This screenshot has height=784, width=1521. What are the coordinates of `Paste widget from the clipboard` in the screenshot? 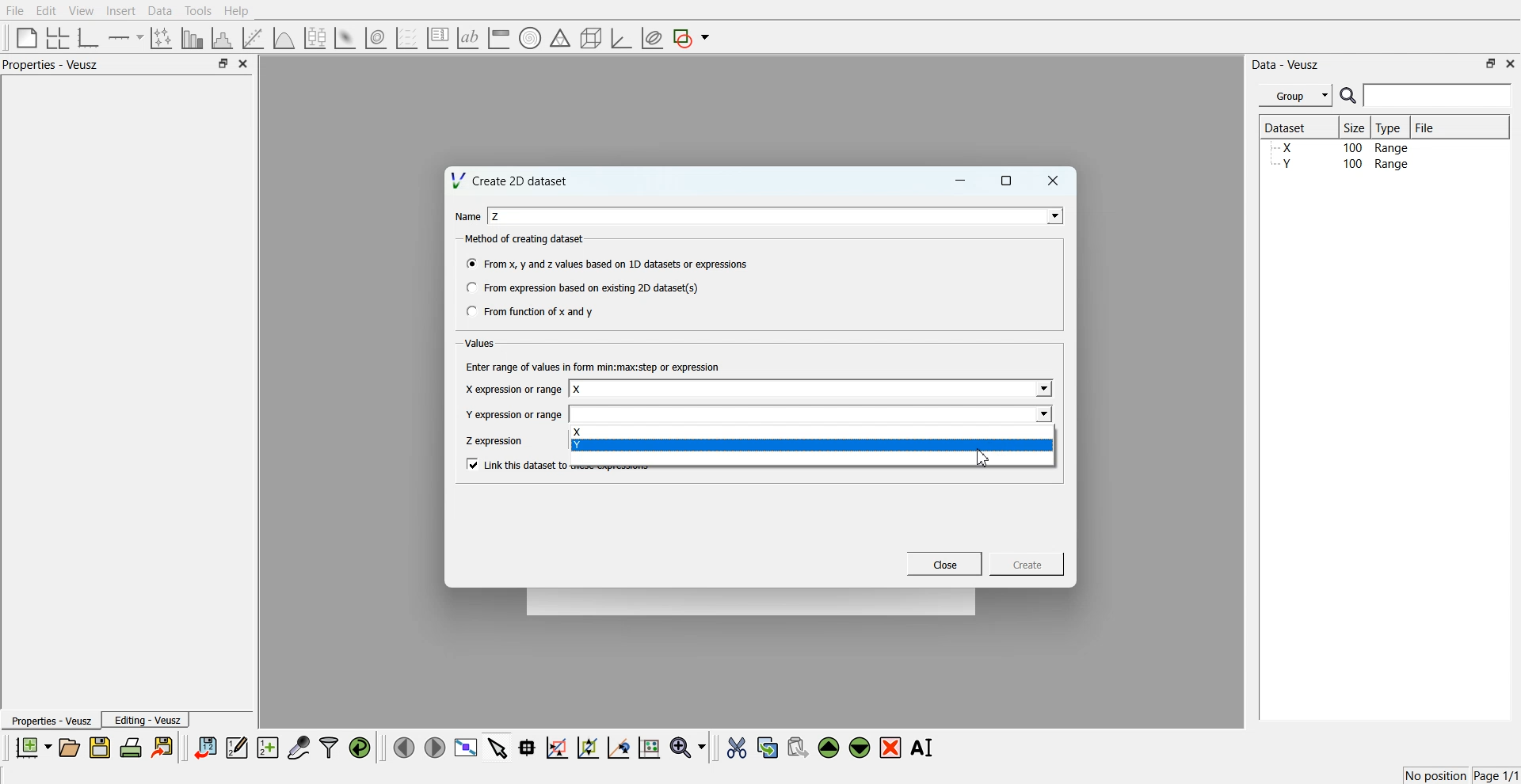 It's located at (798, 746).